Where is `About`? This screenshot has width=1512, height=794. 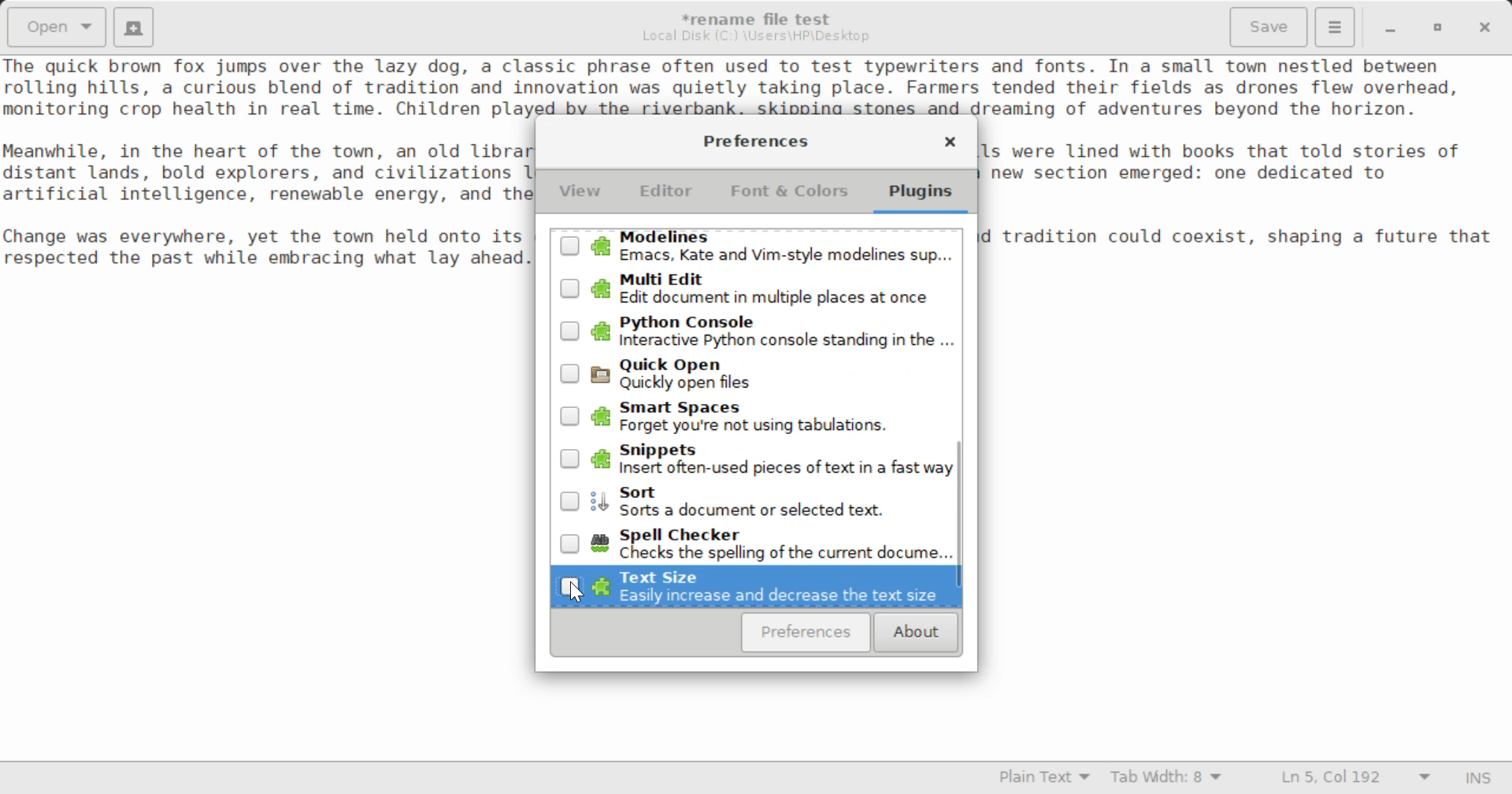
About is located at coordinates (913, 633).